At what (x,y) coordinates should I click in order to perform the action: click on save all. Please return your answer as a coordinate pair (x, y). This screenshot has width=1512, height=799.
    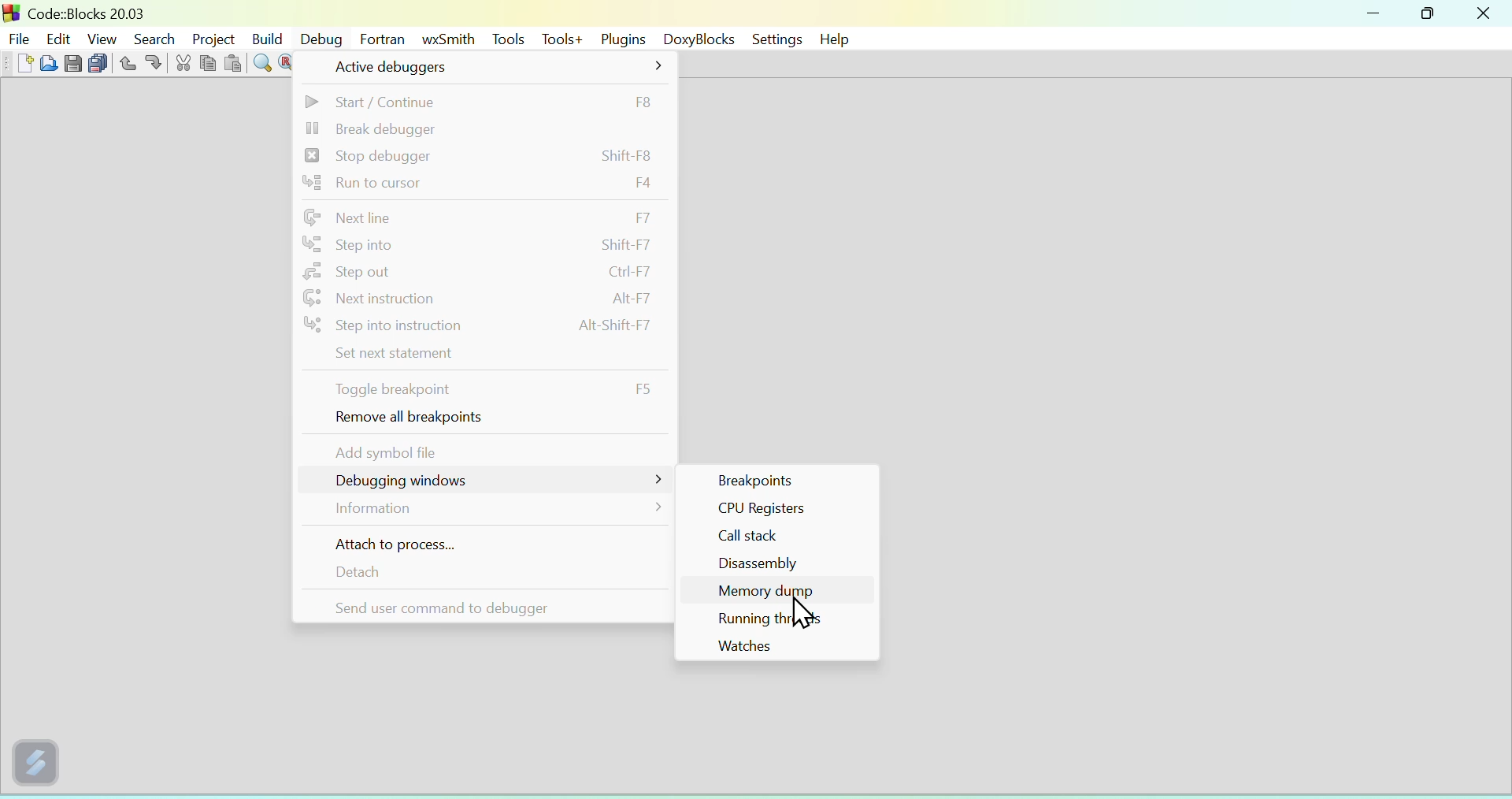
    Looking at the image, I should click on (97, 64).